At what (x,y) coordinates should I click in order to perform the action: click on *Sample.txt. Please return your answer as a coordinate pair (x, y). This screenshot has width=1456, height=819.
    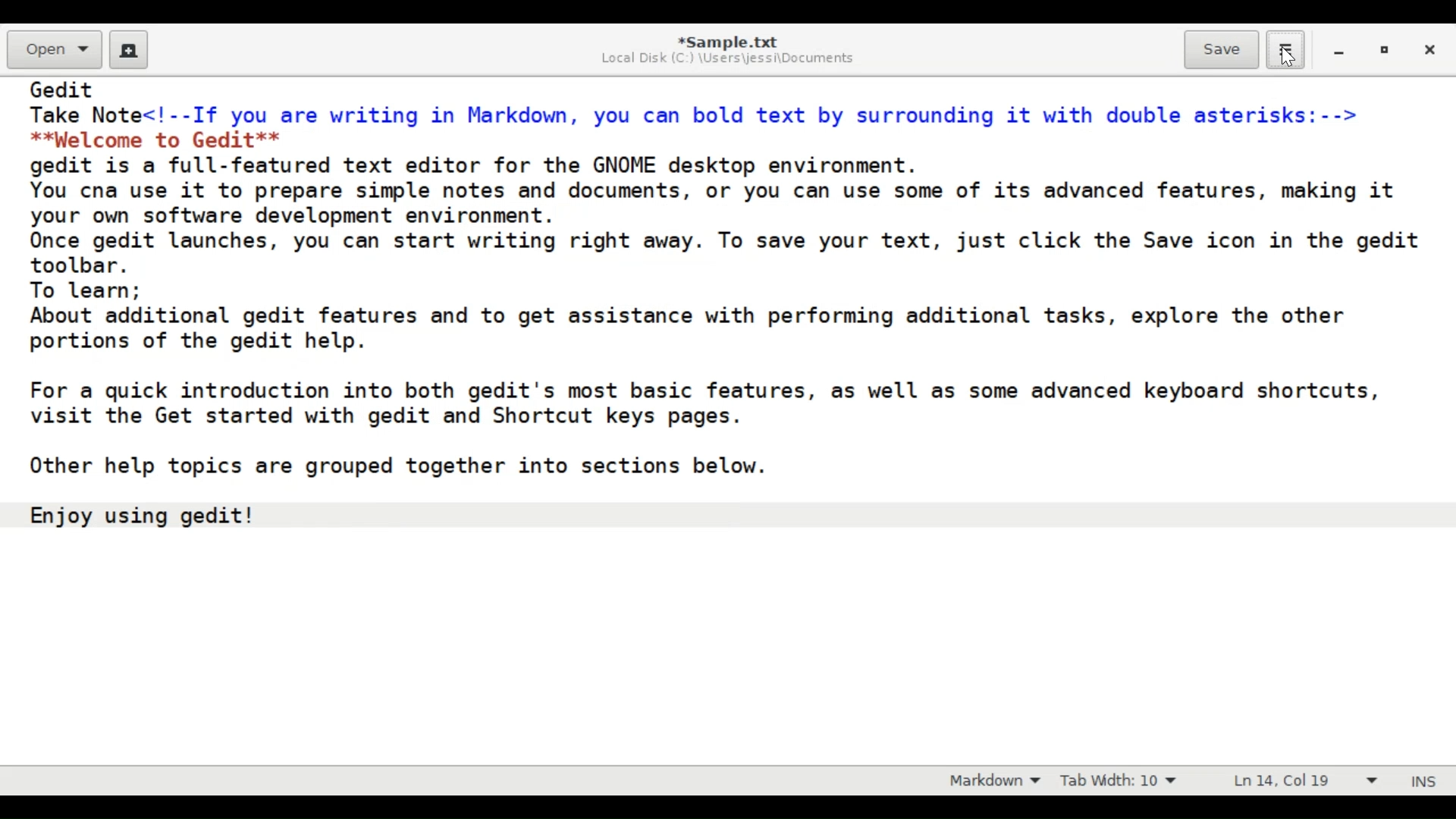
    Looking at the image, I should click on (729, 40).